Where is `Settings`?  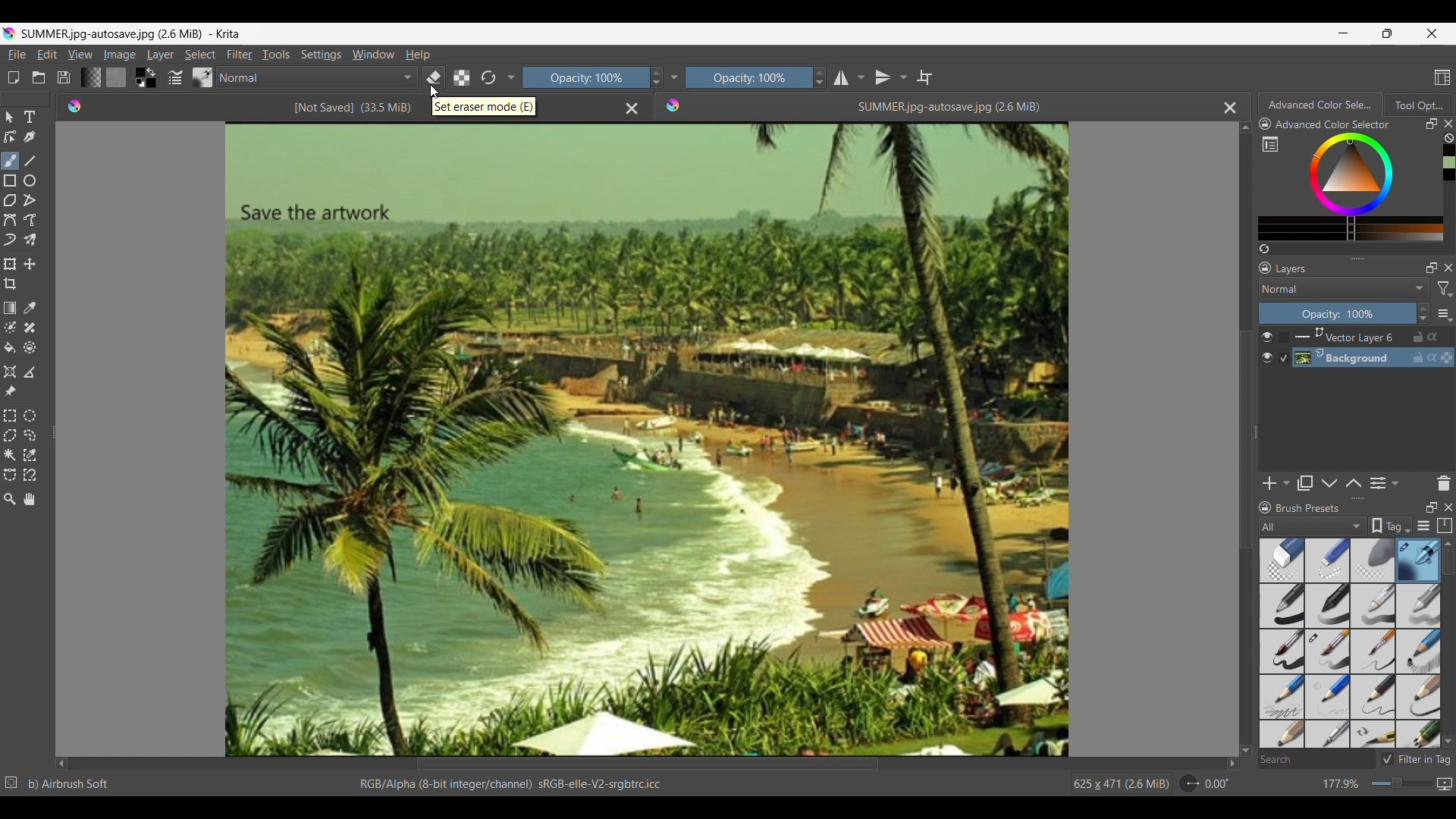
Settings is located at coordinates (322, 55).